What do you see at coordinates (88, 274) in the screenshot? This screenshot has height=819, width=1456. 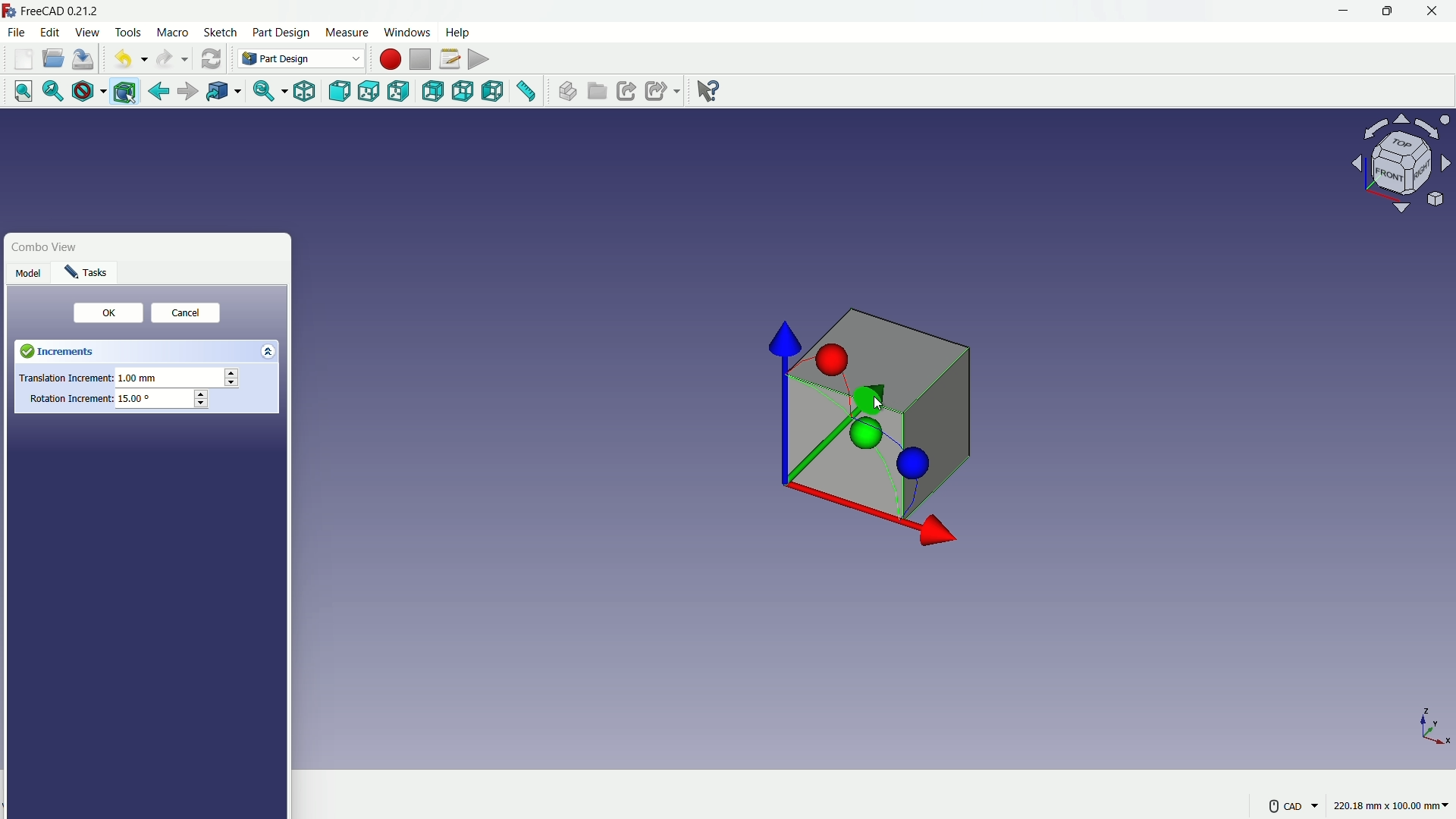 I see `task` at bounding box center [88, 274].